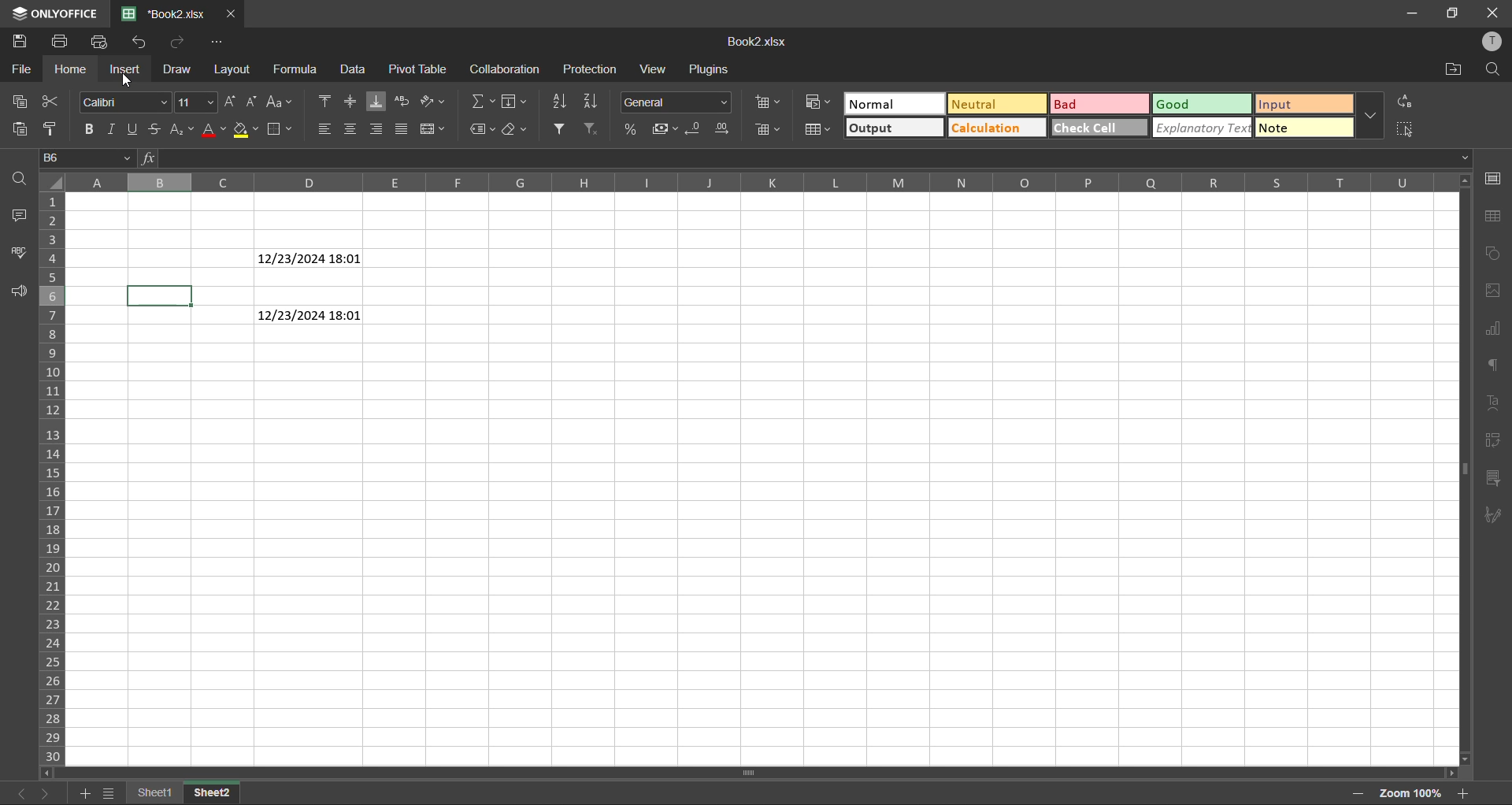 The height and width of the screenshot is (805, 1512). I want to click on sheet 2, so click(212, 792).